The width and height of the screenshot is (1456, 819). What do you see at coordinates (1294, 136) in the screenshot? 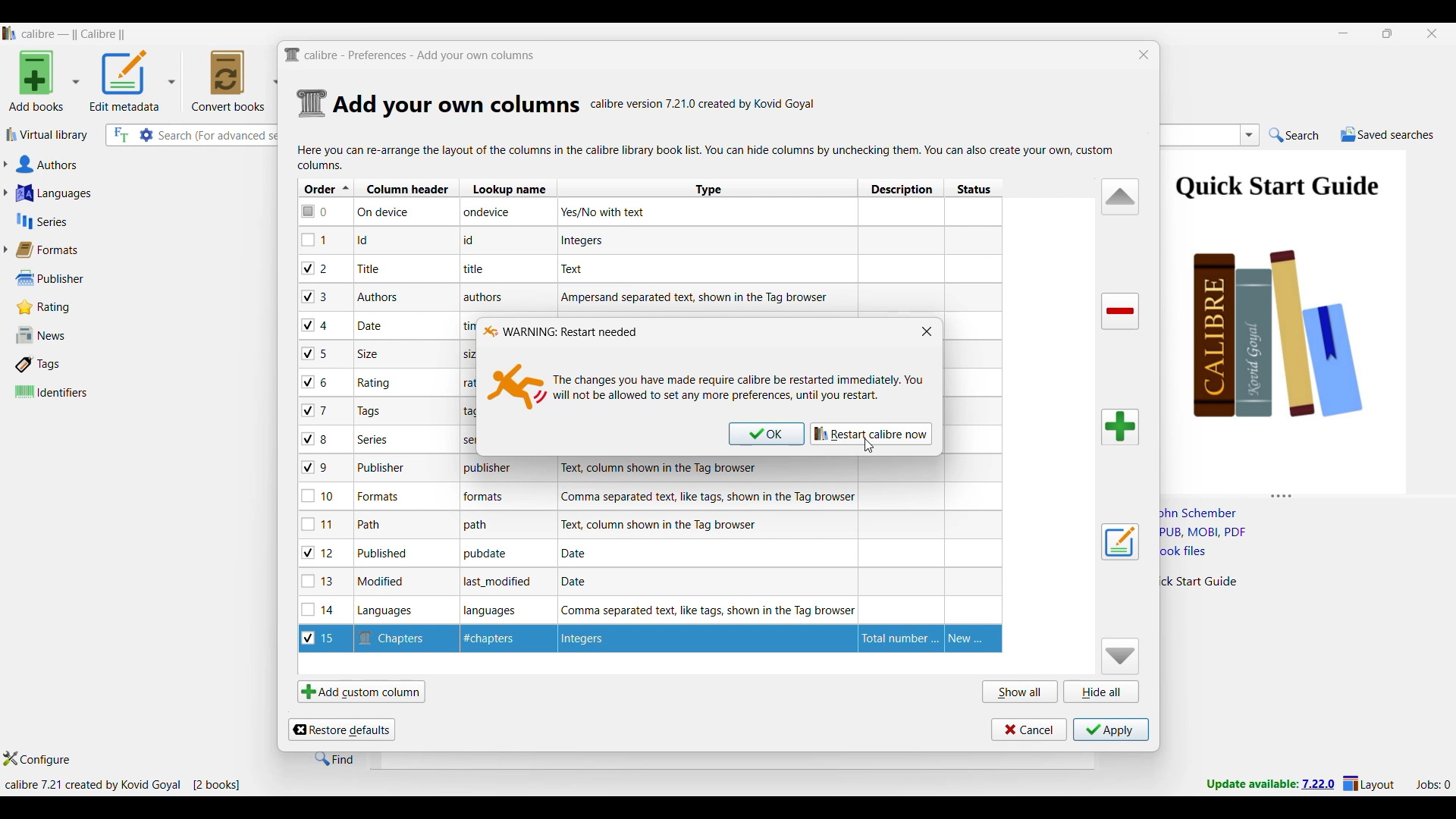
I see `Search` at bounding box center [1294, 136].